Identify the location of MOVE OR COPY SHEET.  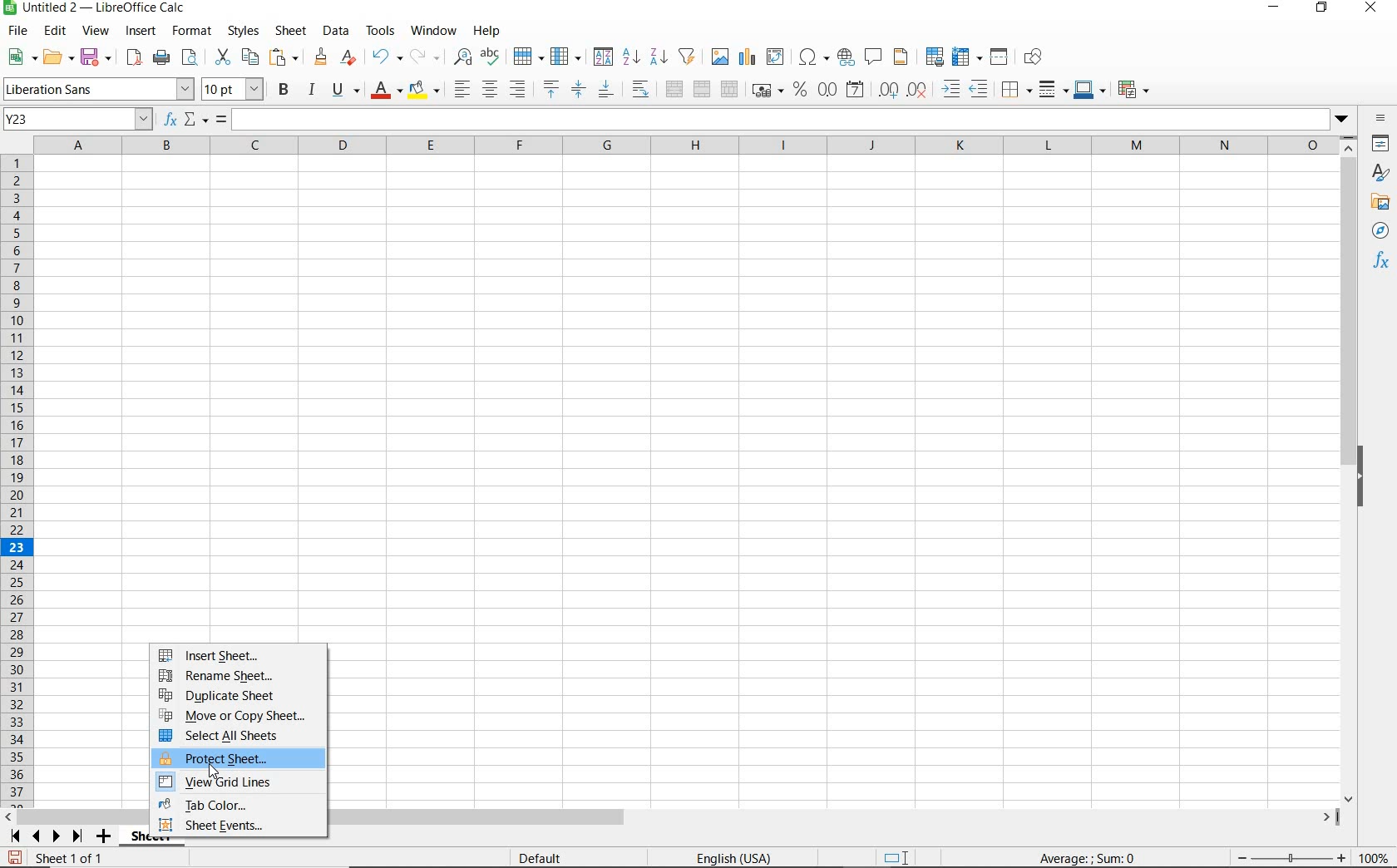
(238, 717).